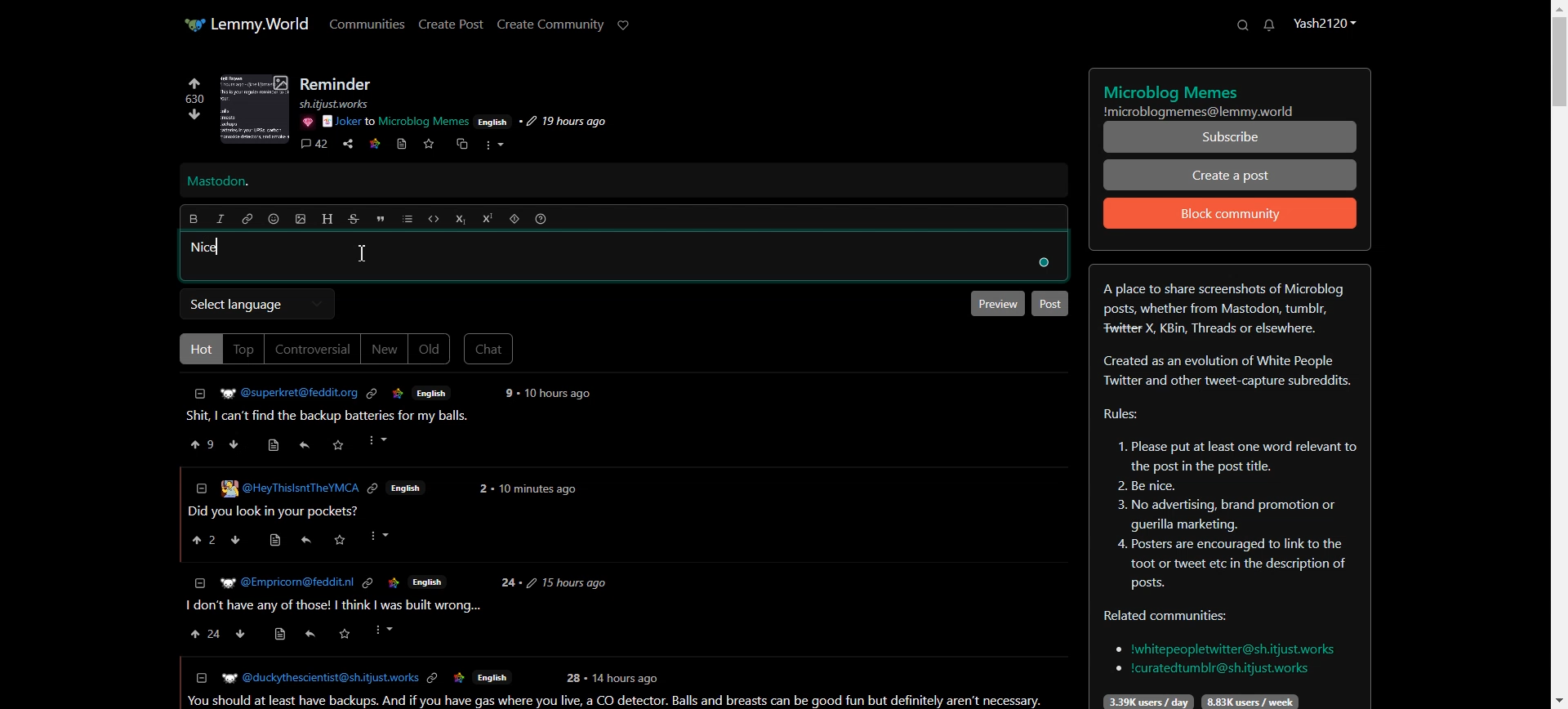 The width and height of the screenshot is (1568, 709). Describe the element at coordinates (306, 122) in the screenshot. I see `` at that location.